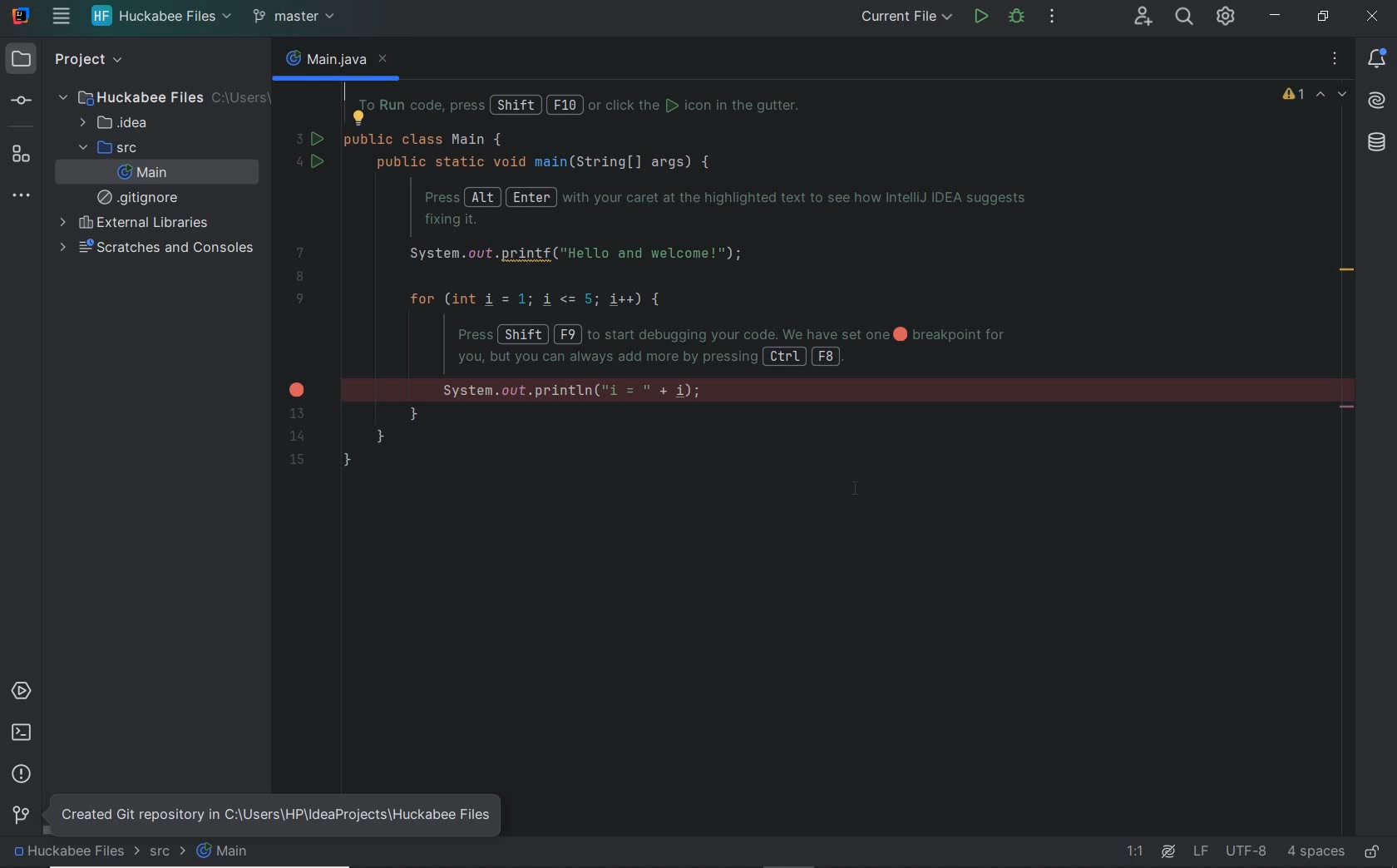 Image resolution: width=1397 pixels, height=868 pixels. What do you see at coordinates (1246, 851) in the screenshot?
I see `file encoding` at bounding box center [1246, 851].